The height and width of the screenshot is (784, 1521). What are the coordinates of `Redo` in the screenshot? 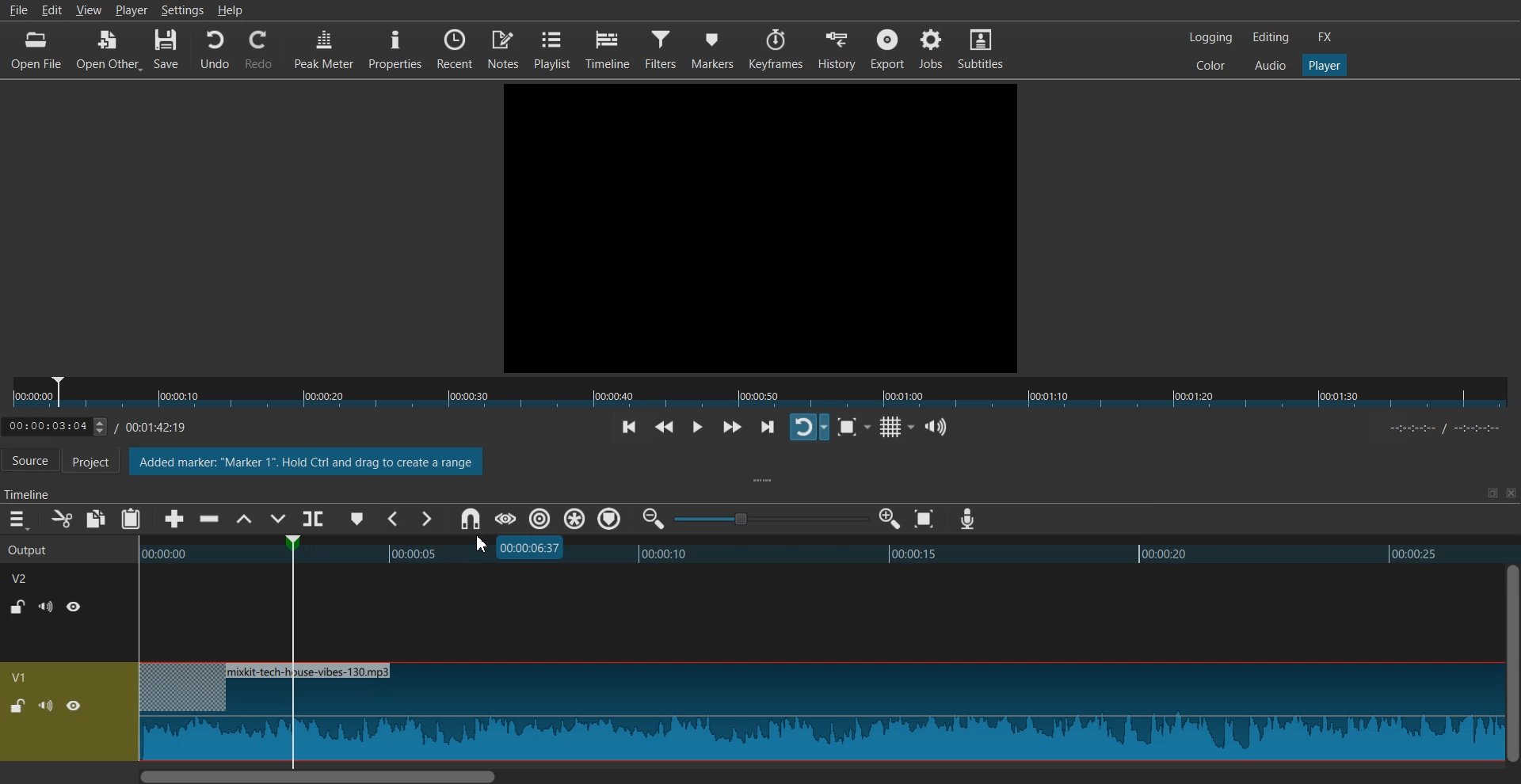 It's located at (259, 50).